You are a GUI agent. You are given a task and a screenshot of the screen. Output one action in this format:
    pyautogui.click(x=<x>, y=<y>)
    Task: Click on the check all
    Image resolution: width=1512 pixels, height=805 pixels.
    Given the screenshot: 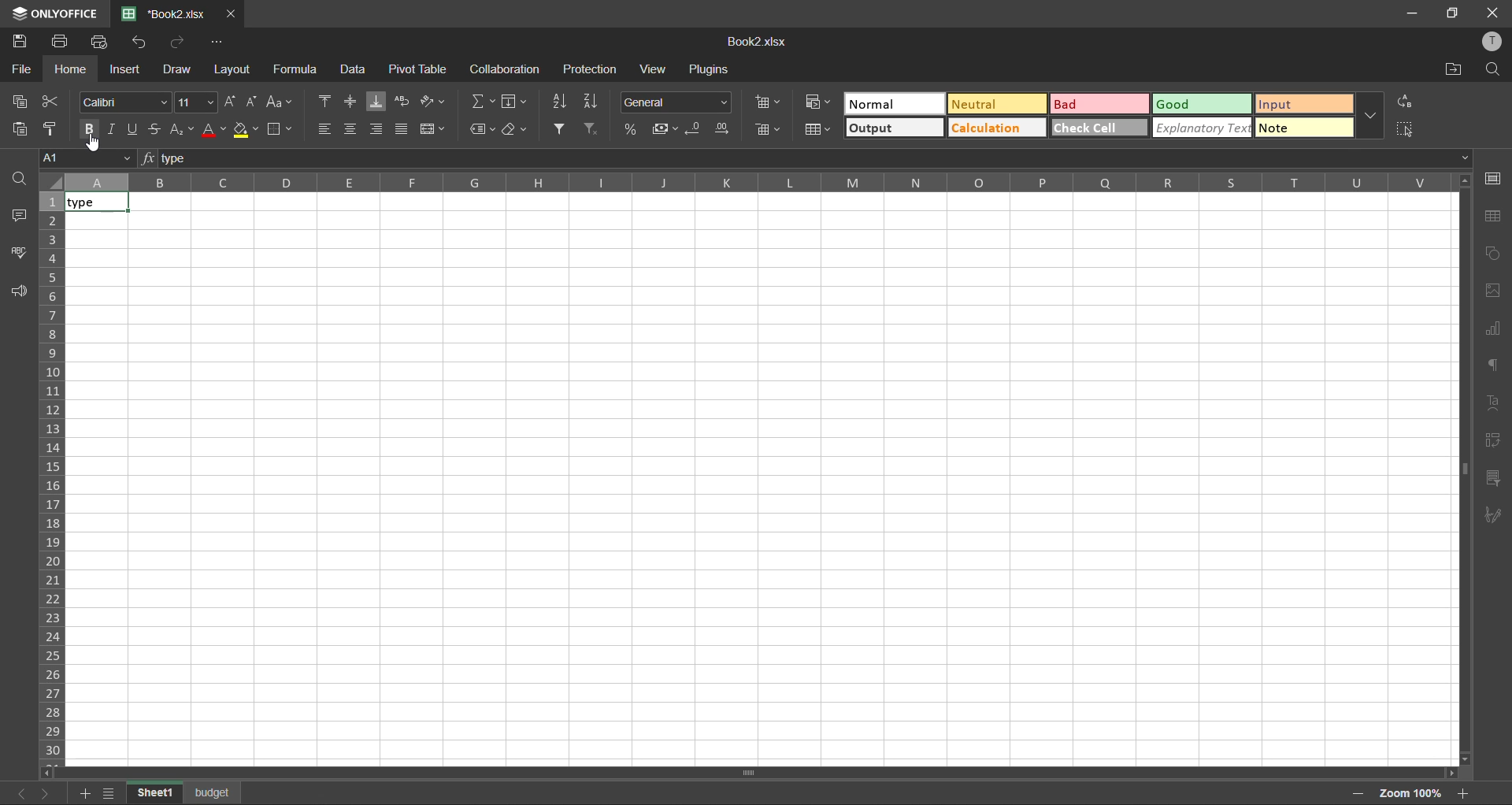 What is the action you would take?
    pyautogui.click(x=1100, y=127)
    